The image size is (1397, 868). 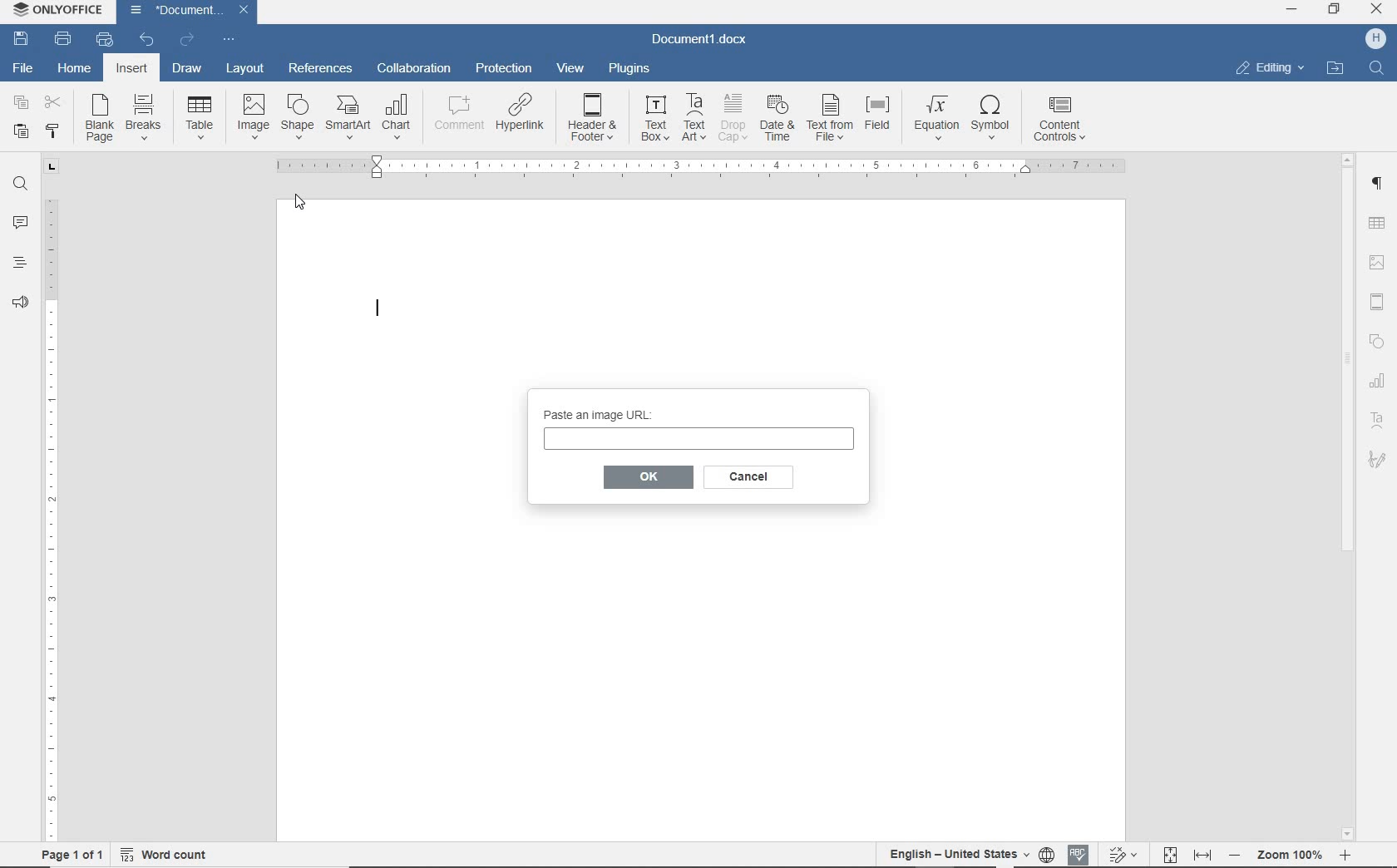 What do you see at coordinates (22, 301) in the screenshot?
I see `feedback & support` at bounding box center [22, 301].